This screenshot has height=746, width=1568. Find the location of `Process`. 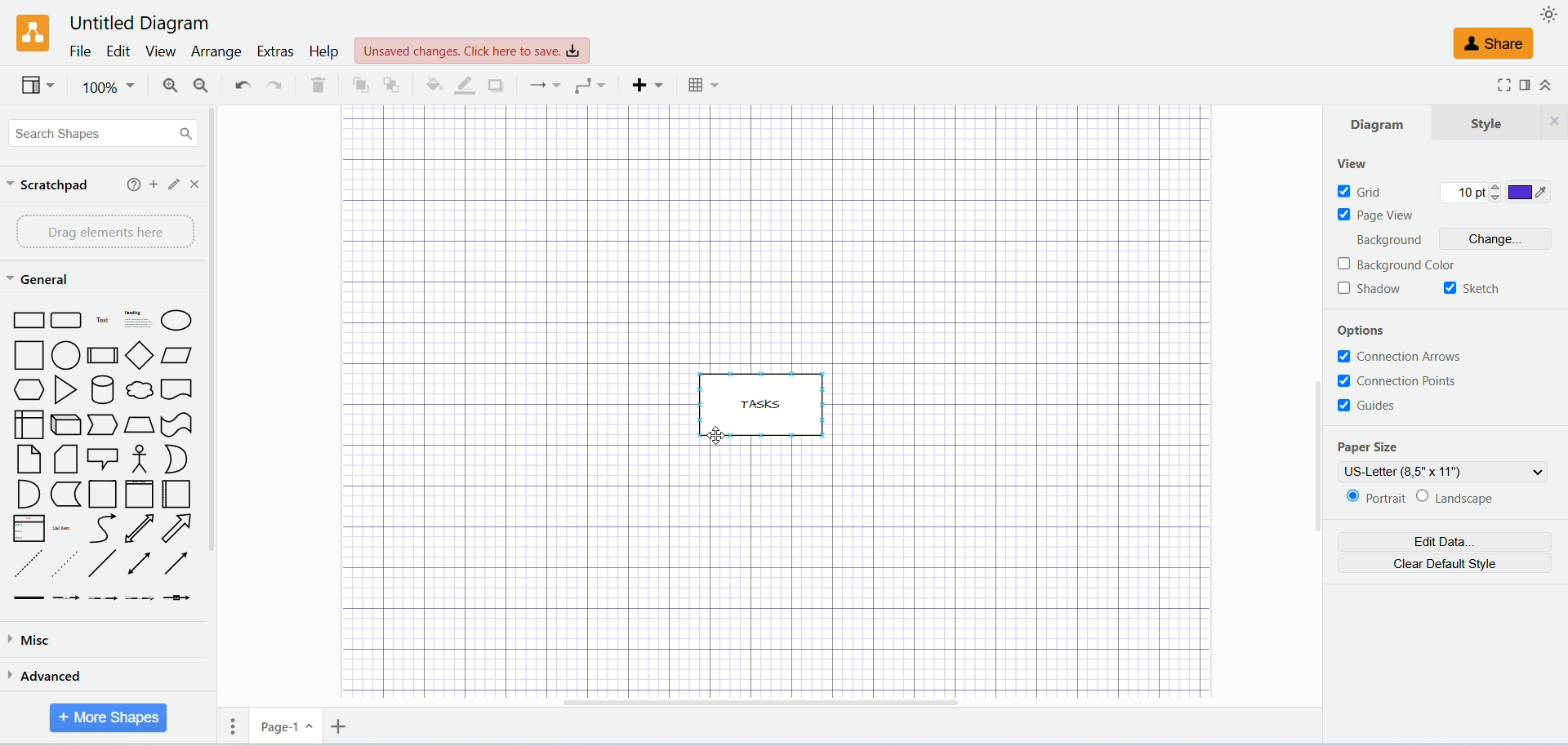

Process is located at coordinates (102, 356).